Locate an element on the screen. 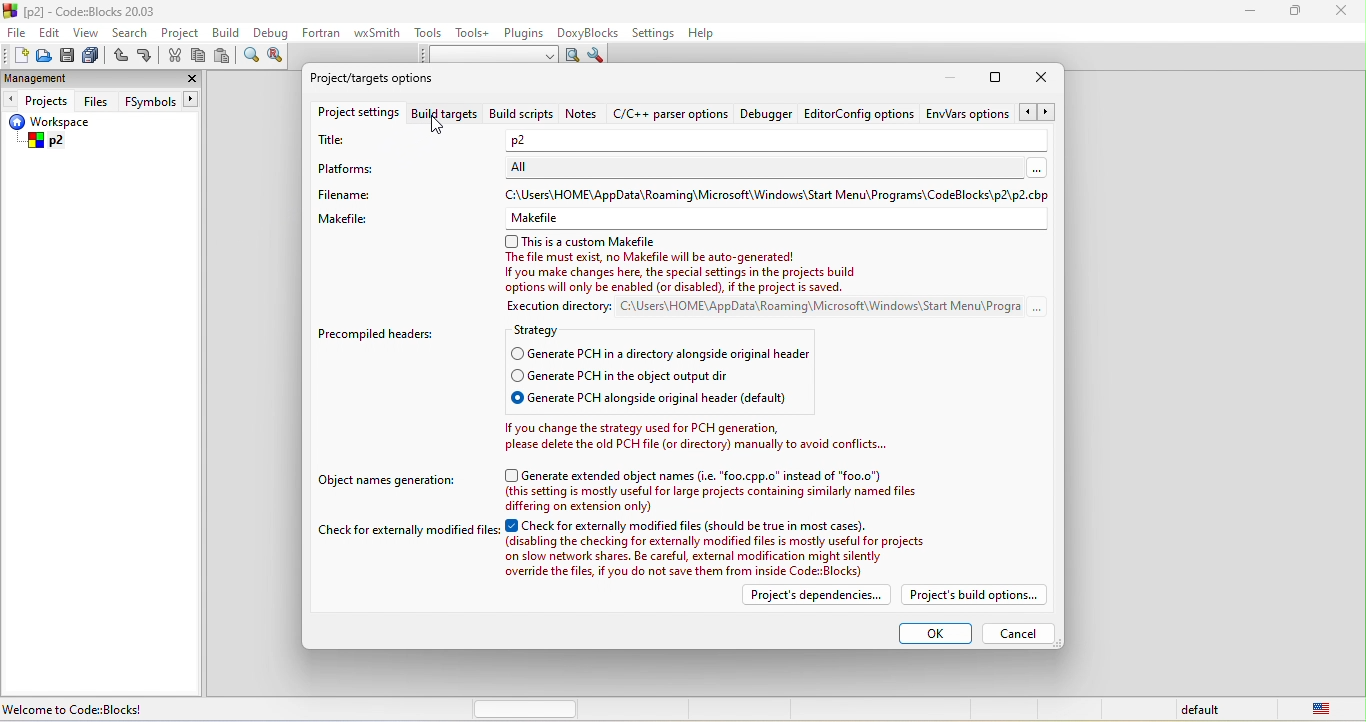 This screenshot has height=722, width=1366. text to search is located at coordinates (489, 56).